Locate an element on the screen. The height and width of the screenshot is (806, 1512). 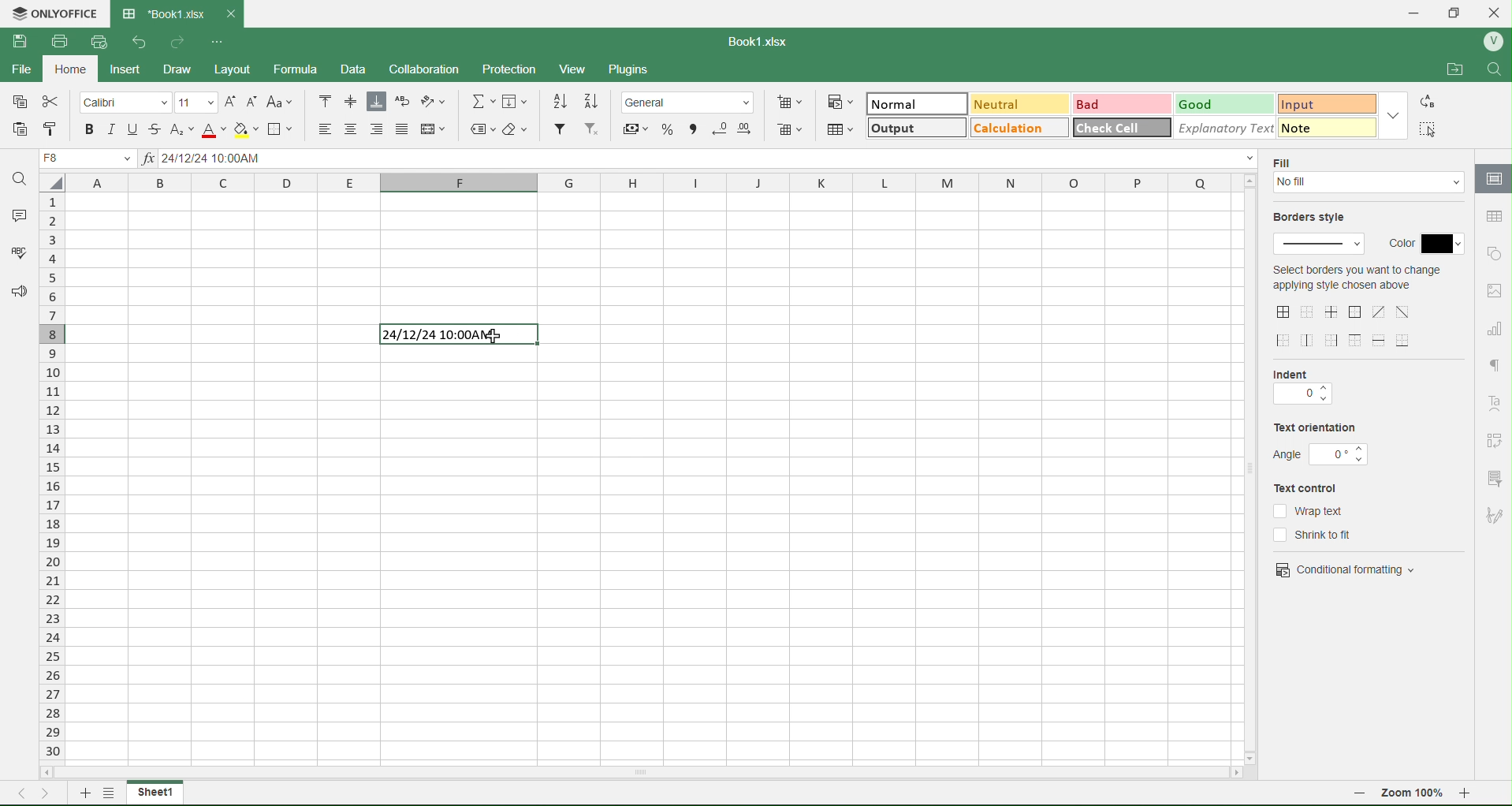
Bold is located at coordinates (90, 129).